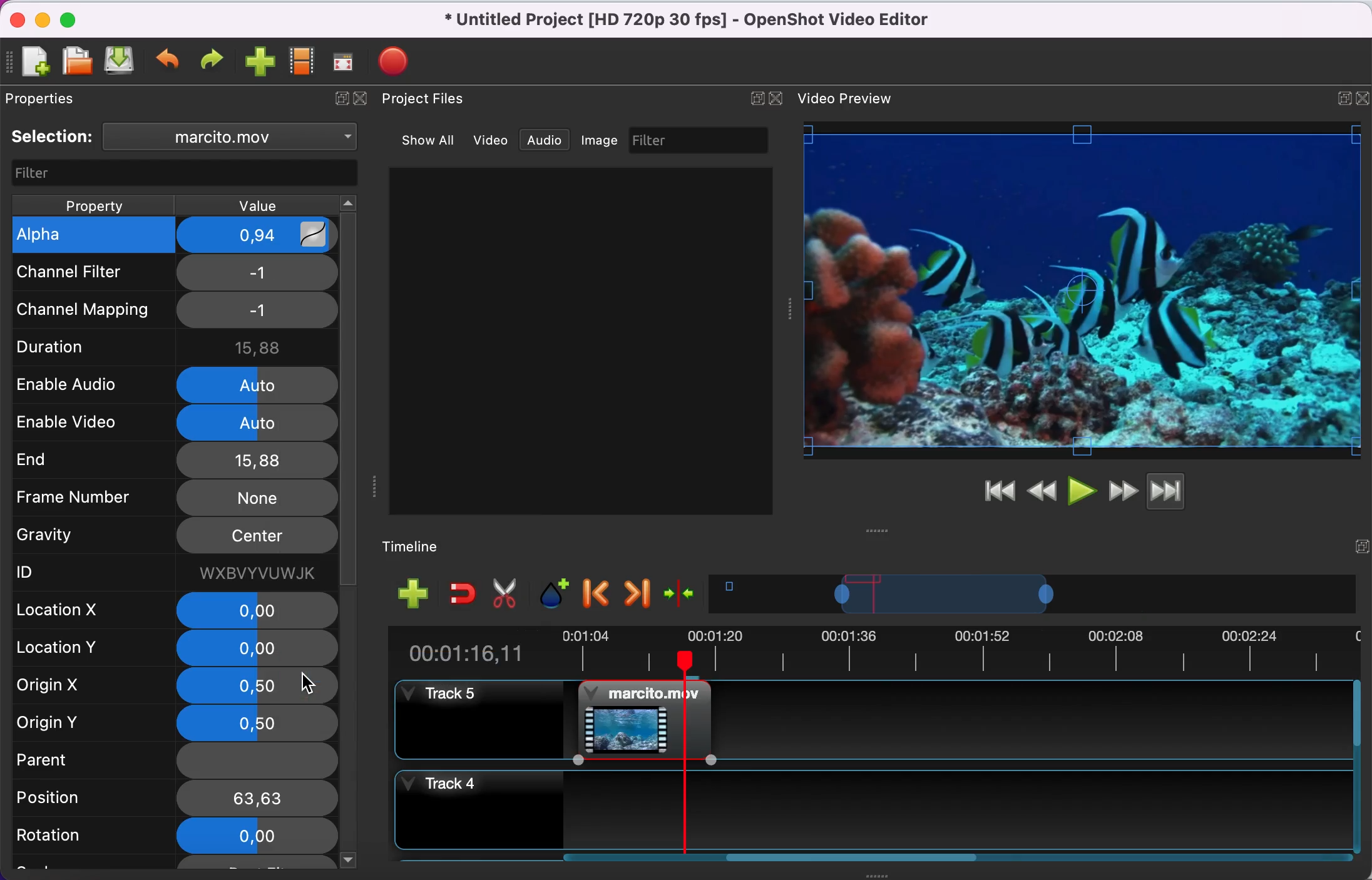  Describe the element at coordinates (73, 686) in the screenshot. I see `Origin X` at that location.